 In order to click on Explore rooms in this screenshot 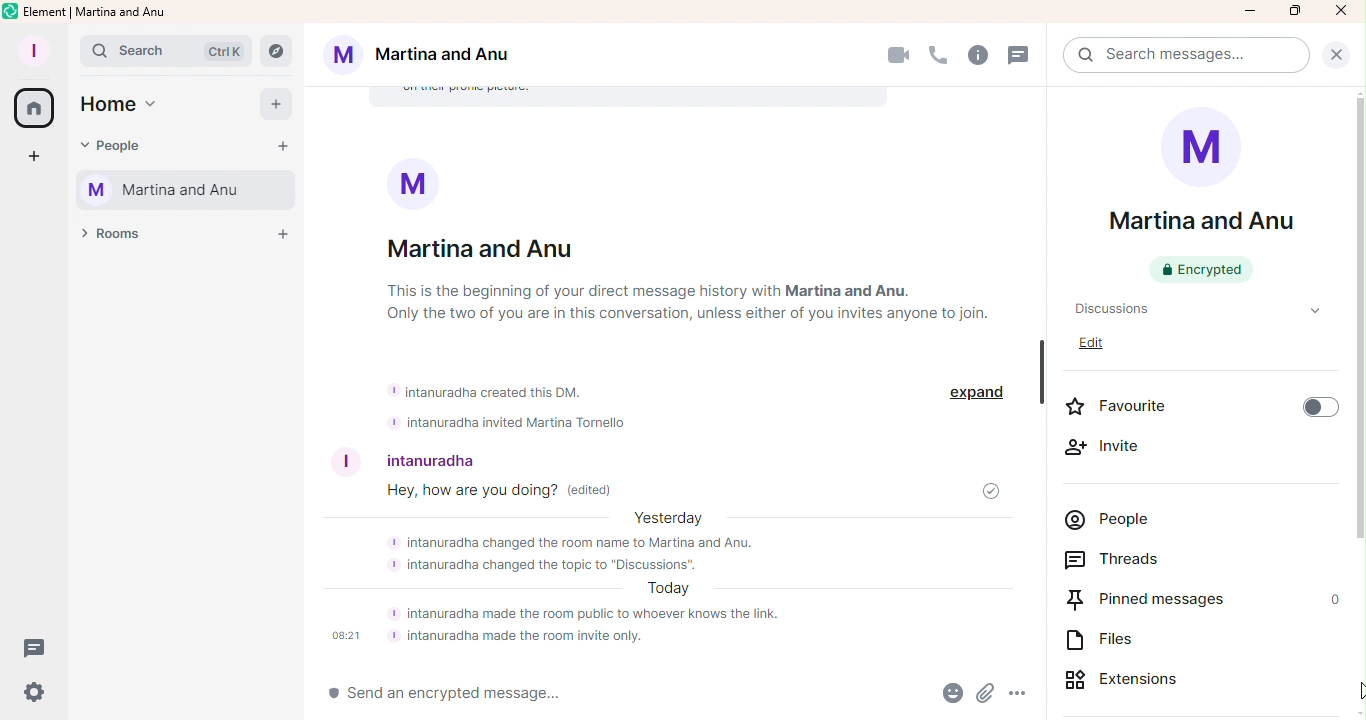, I will do `click(277, 50)`.